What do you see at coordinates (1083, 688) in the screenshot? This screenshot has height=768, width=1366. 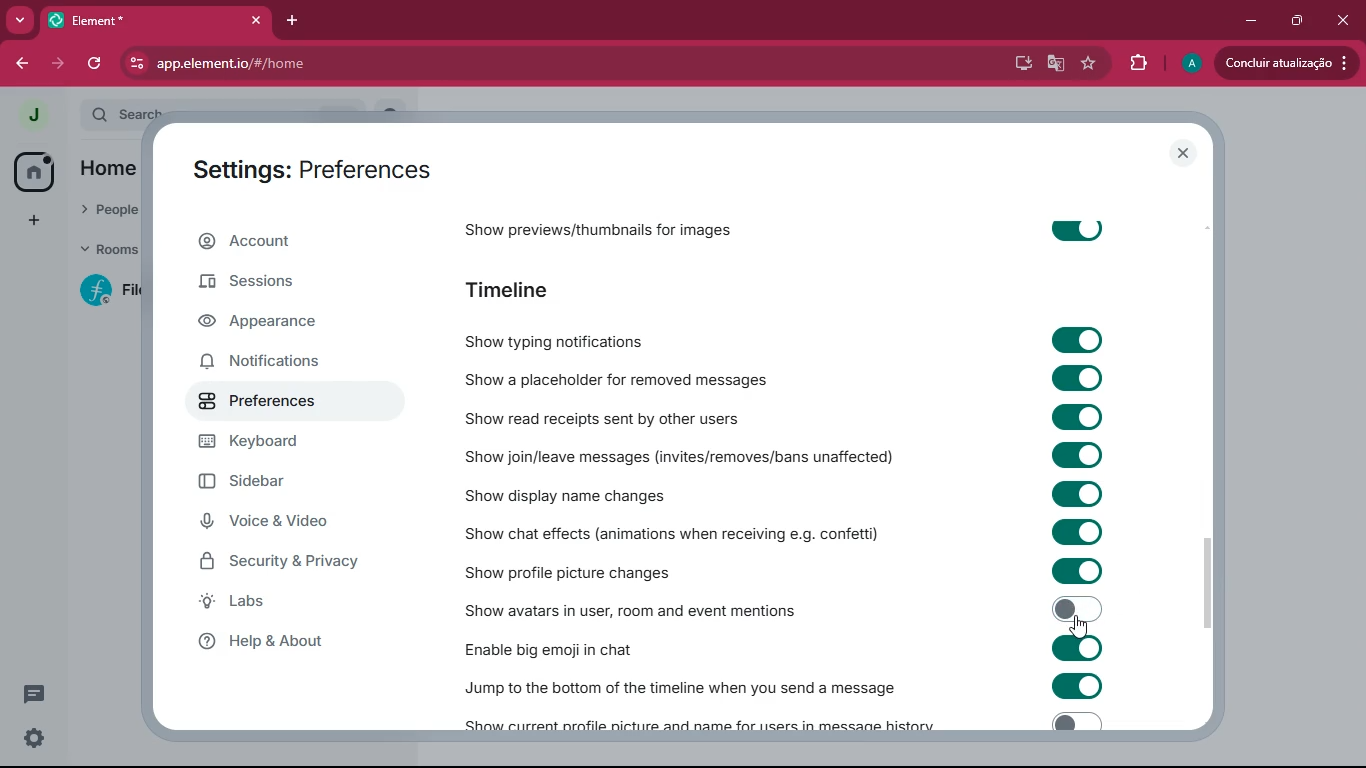 I see `toggle on ` at bounding box center [1083, 688].